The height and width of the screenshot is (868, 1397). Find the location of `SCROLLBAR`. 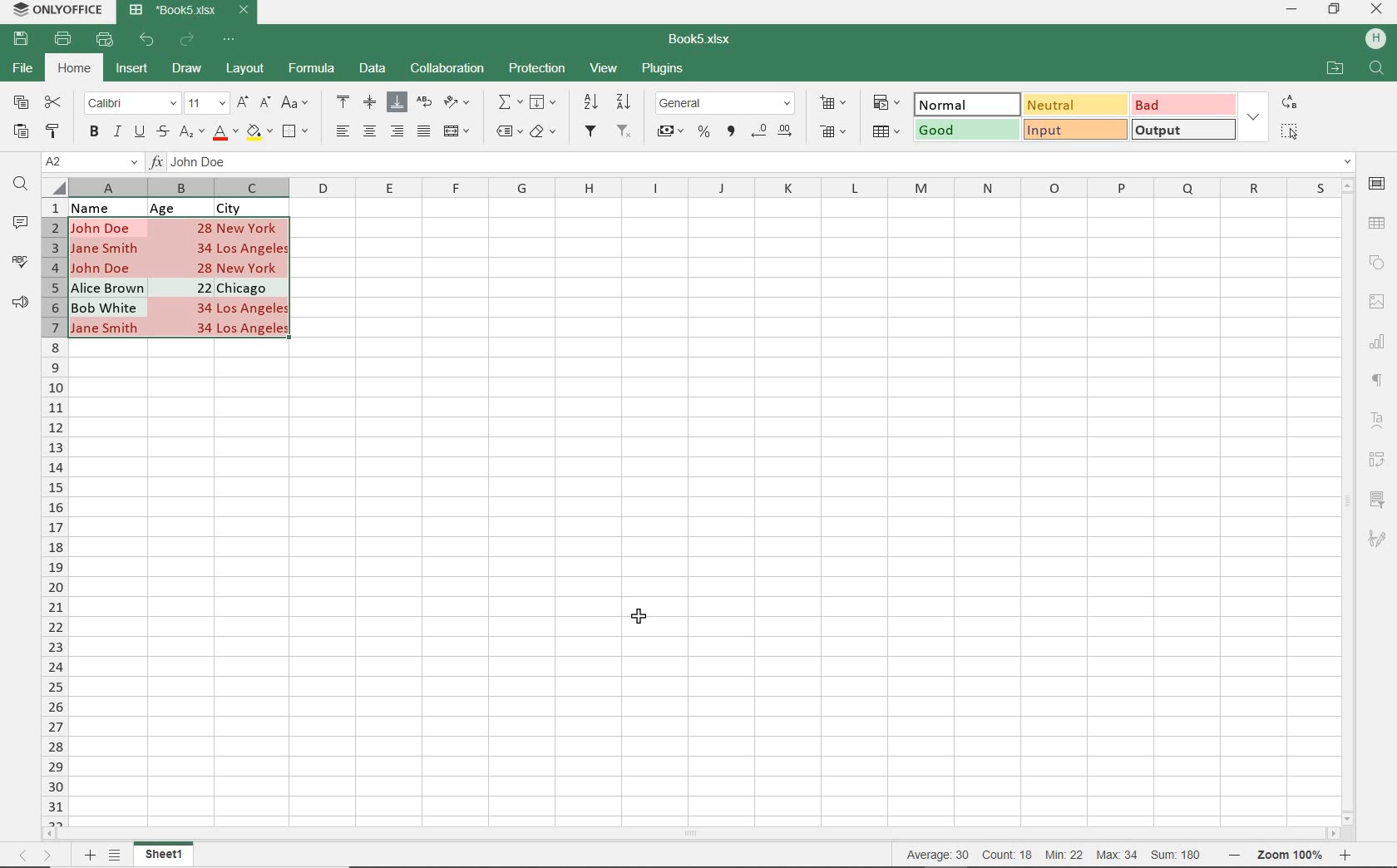

SCROLLBAR is located at coordinates (1350, 501).